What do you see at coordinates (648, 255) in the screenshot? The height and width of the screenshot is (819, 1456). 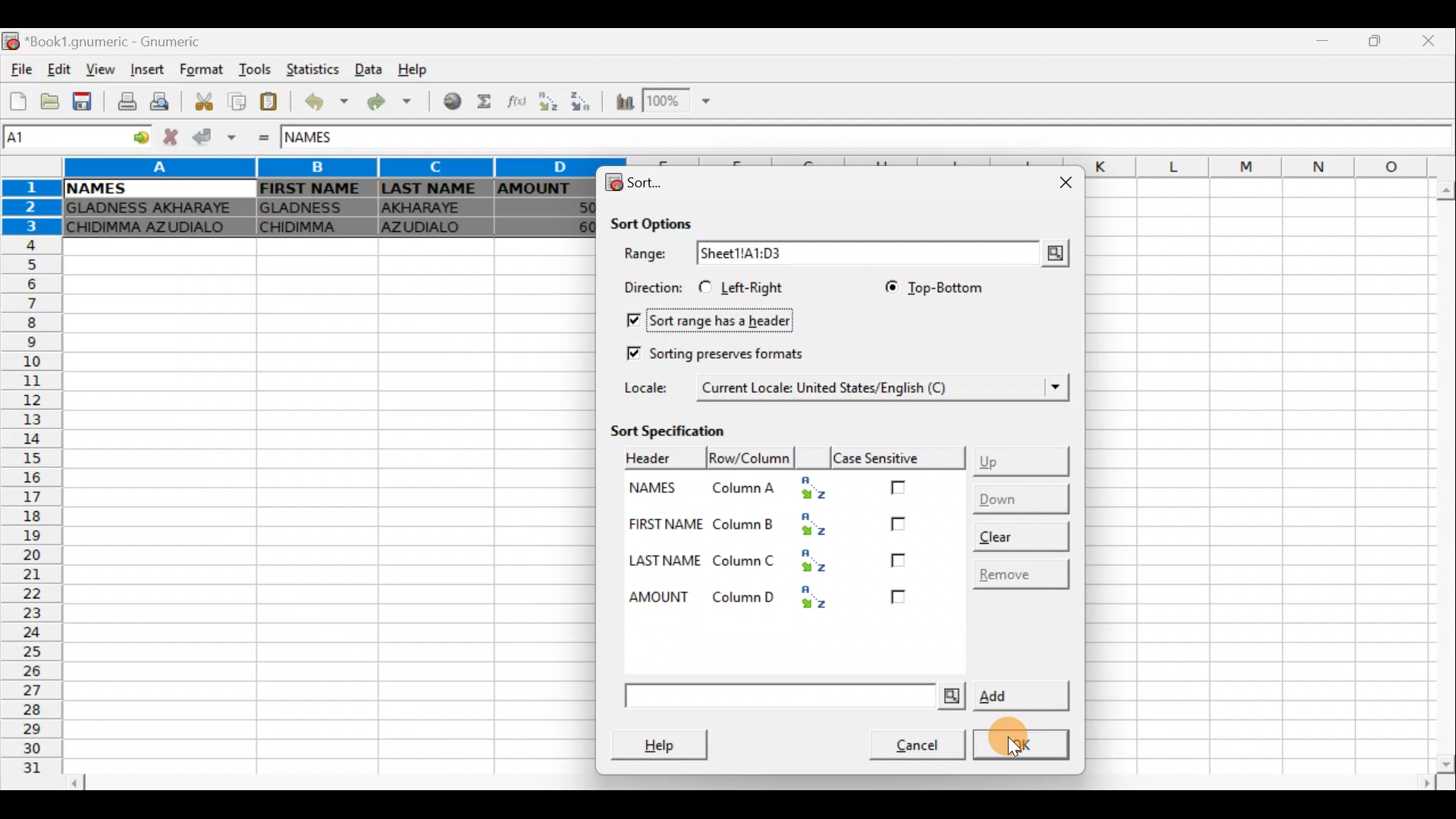 I see `Range` at bounding box center [648, 255].